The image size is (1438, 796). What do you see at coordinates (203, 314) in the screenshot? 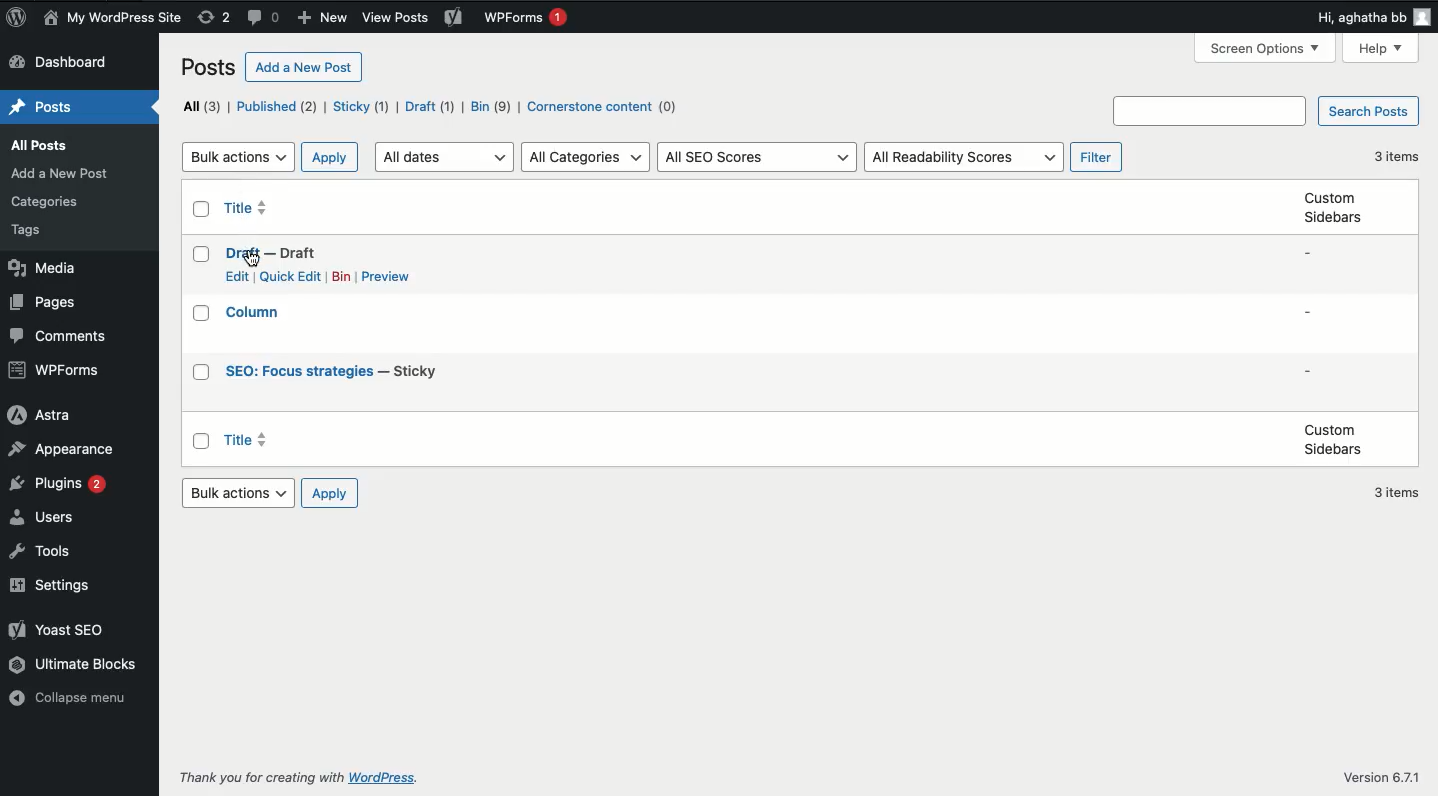
I see `Checkbox` at bounding box center [203, 314].